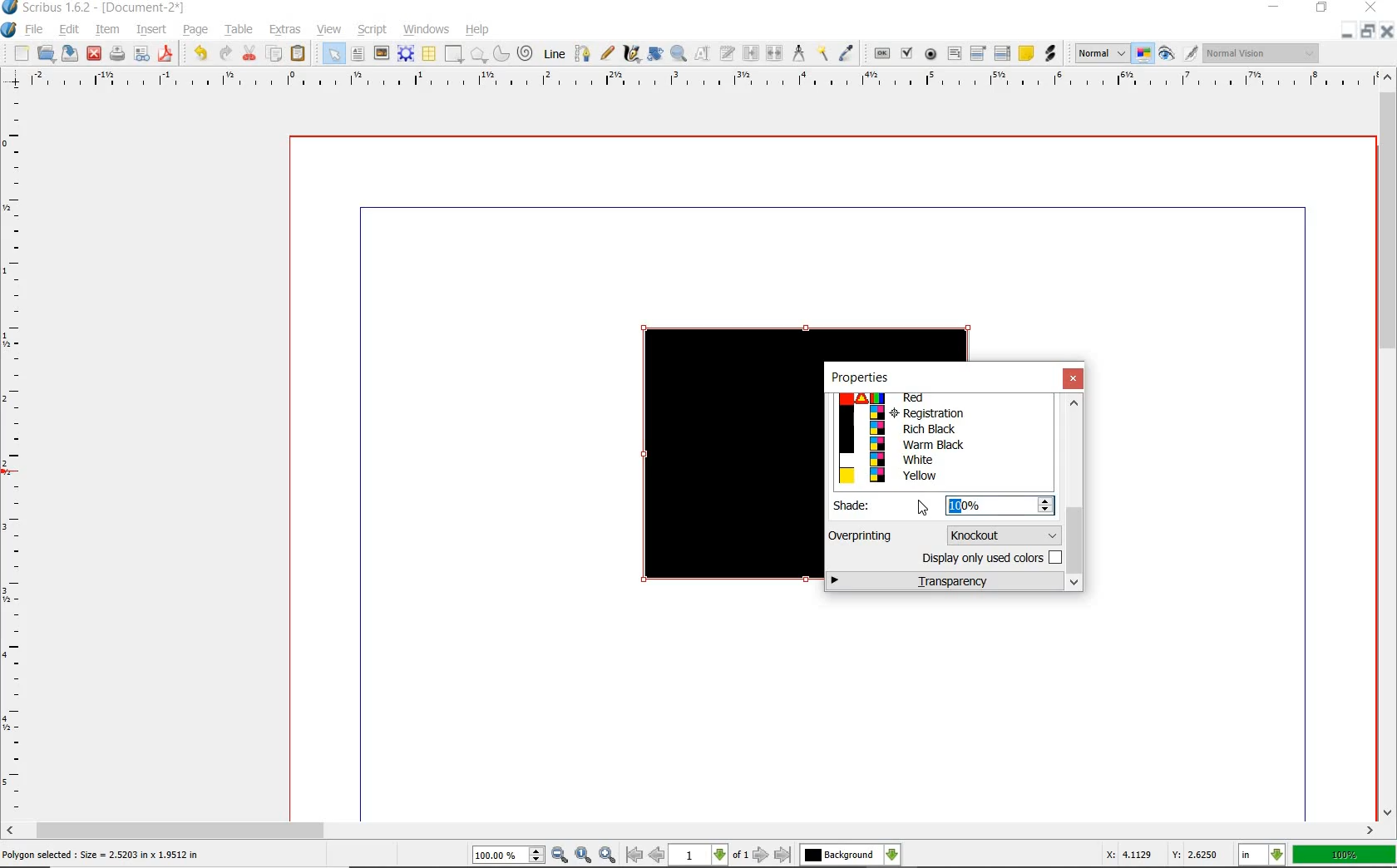  What do you see at coordinates (508, 856) in the screenshot?
I see `select current zoom level` at bounding box center [508, 856].